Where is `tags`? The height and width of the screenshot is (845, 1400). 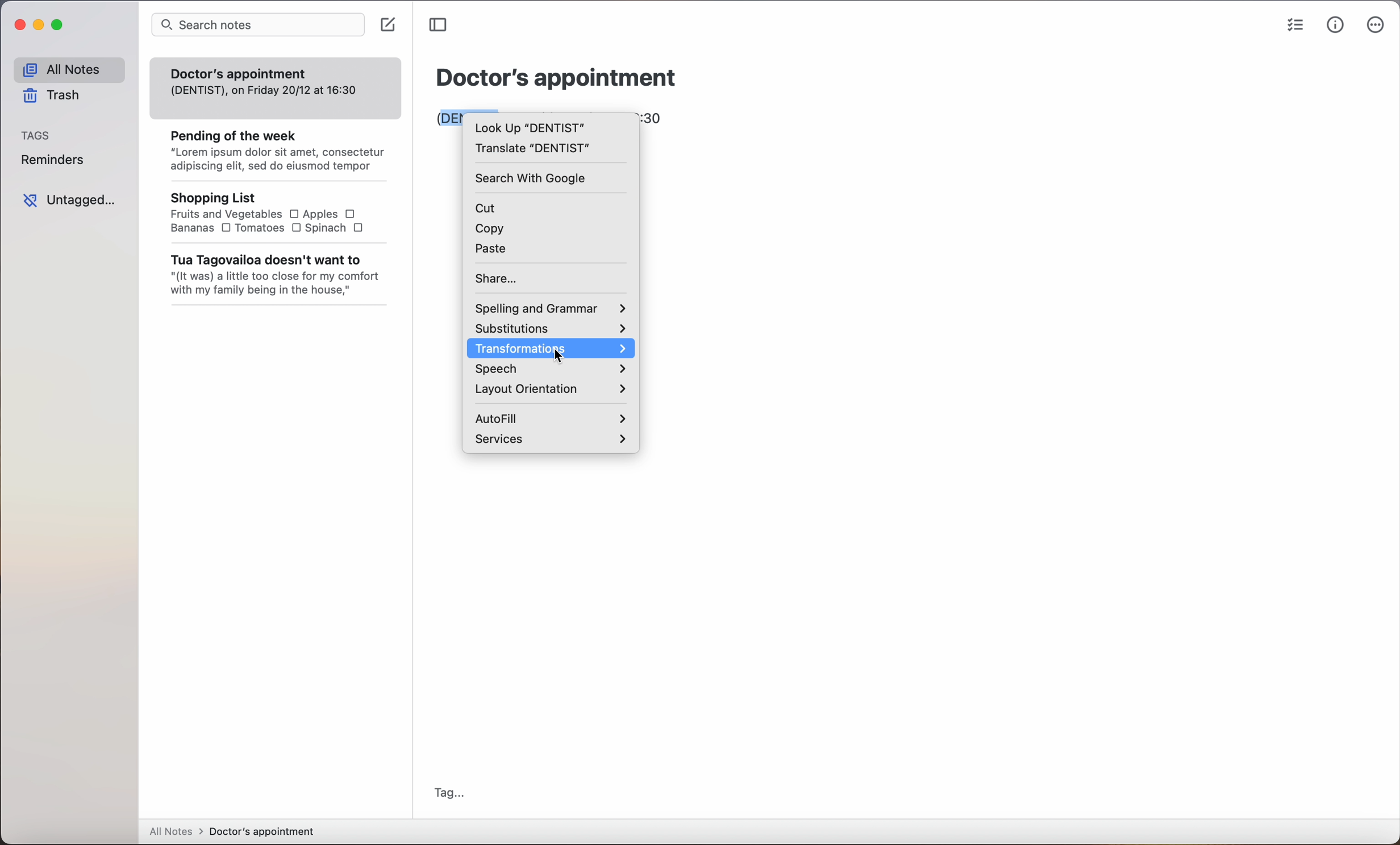
tags is located at coordinates (35, 136).